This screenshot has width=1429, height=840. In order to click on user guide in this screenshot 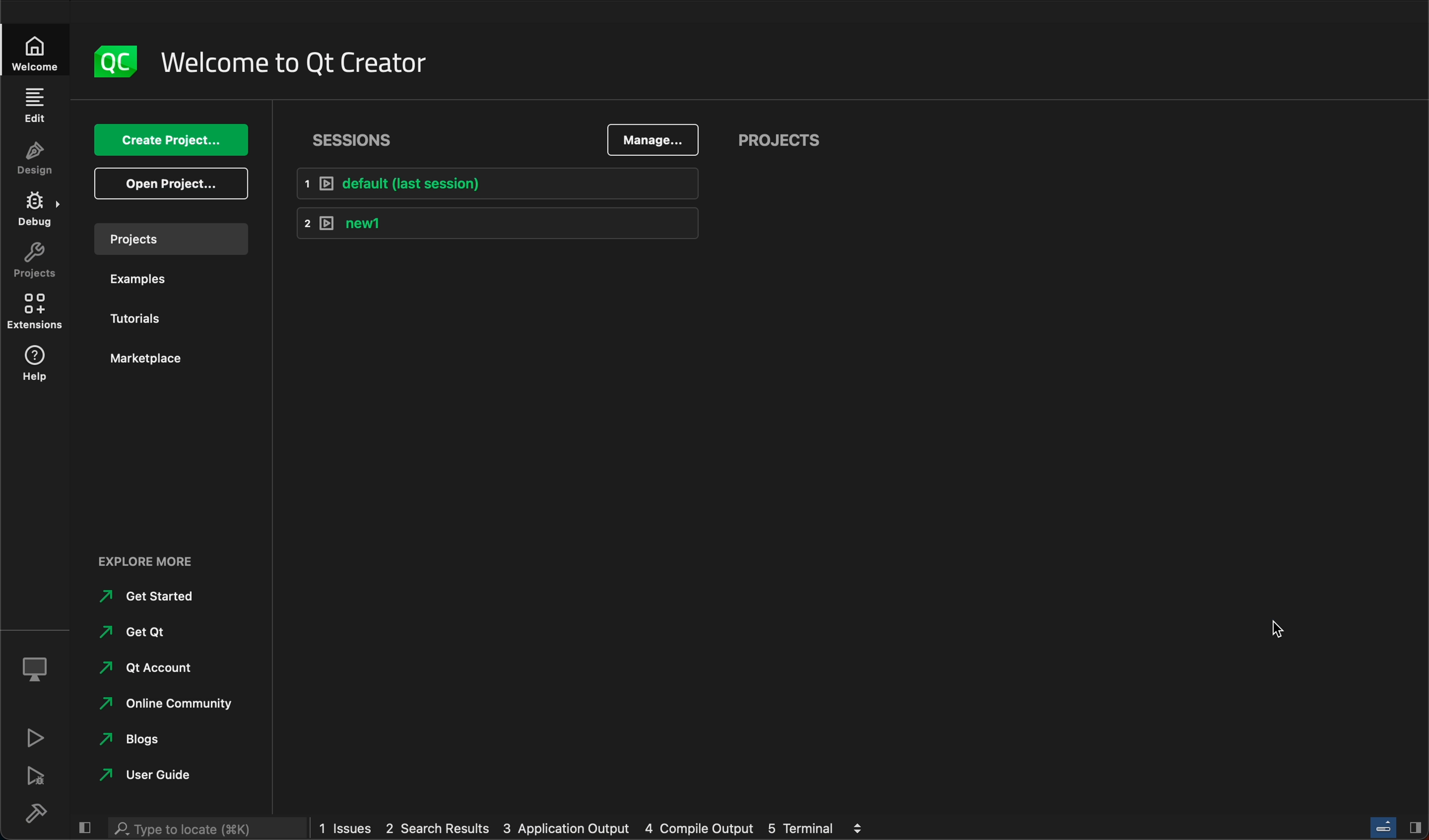, I will do `click(157, 776)`.